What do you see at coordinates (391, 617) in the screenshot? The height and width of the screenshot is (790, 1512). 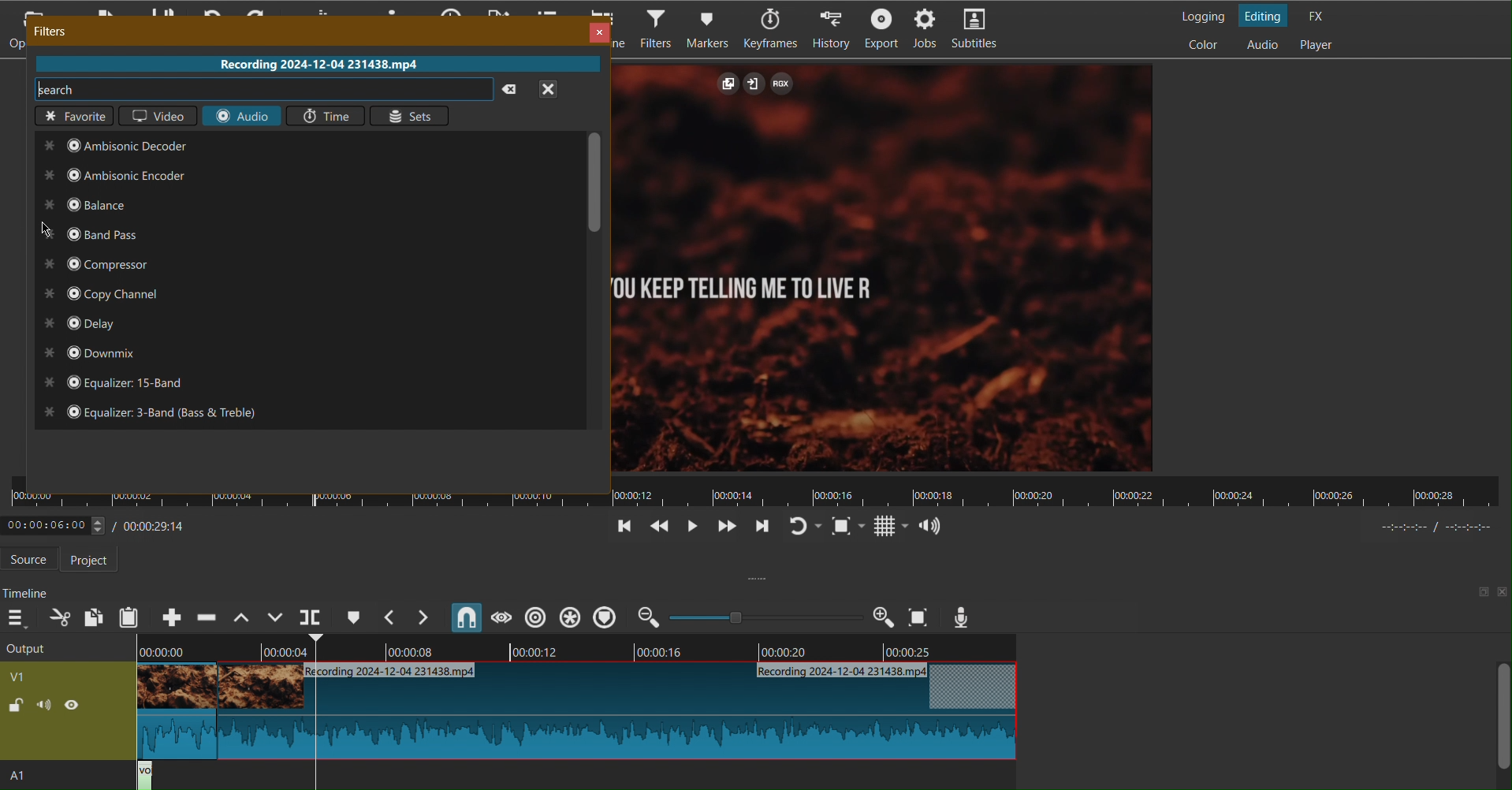 I see `Previous Marker` at bounding box center [391, 617].